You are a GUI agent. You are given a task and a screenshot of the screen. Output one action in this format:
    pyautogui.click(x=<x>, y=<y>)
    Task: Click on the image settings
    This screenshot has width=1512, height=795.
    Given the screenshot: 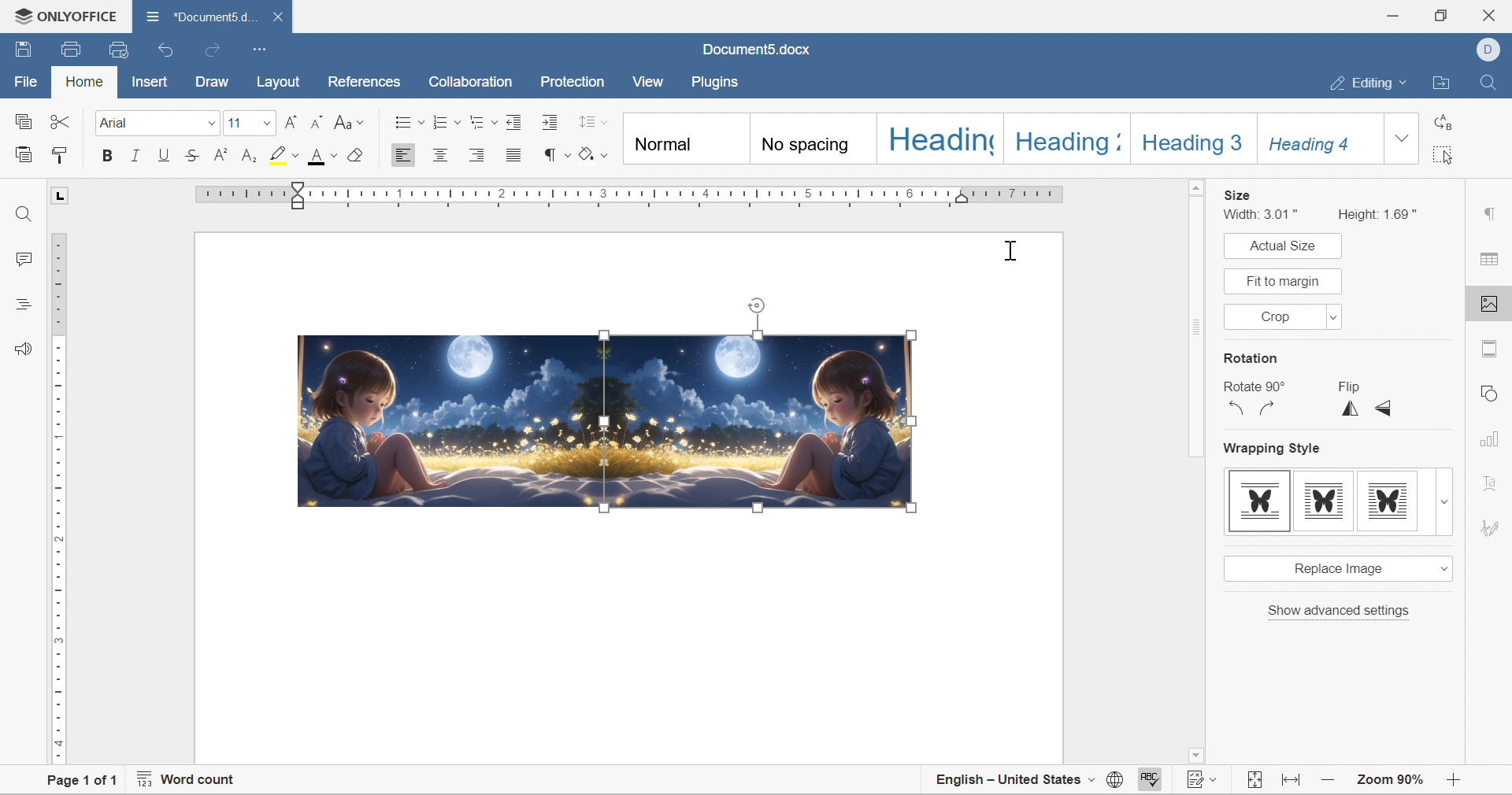 What is the action you would take?
    pyautogui.click(x=1492, y=304)
    